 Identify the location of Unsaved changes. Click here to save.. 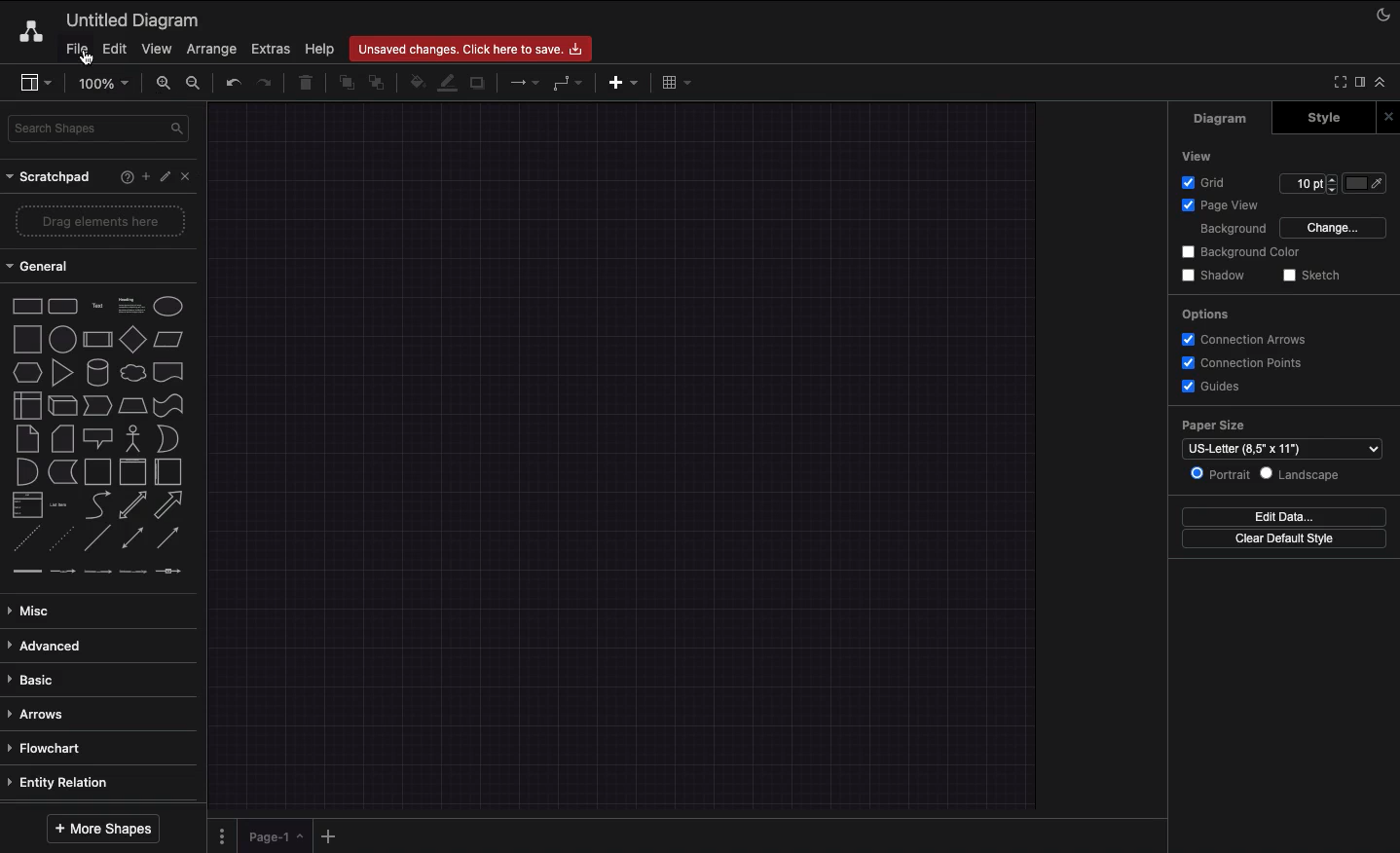
(470, 49).